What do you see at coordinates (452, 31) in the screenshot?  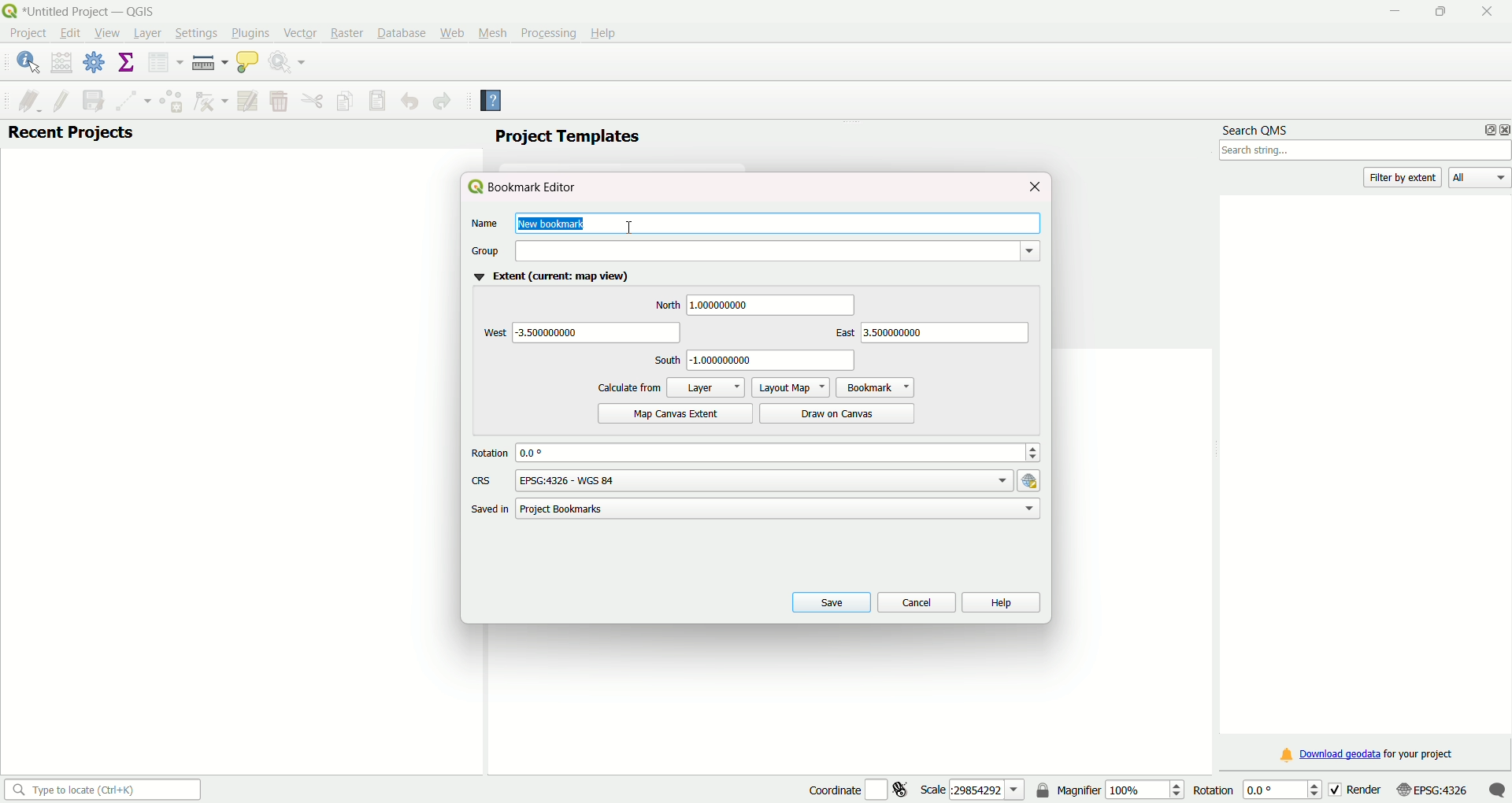 I see `Web` at bounding box center [452, 31].